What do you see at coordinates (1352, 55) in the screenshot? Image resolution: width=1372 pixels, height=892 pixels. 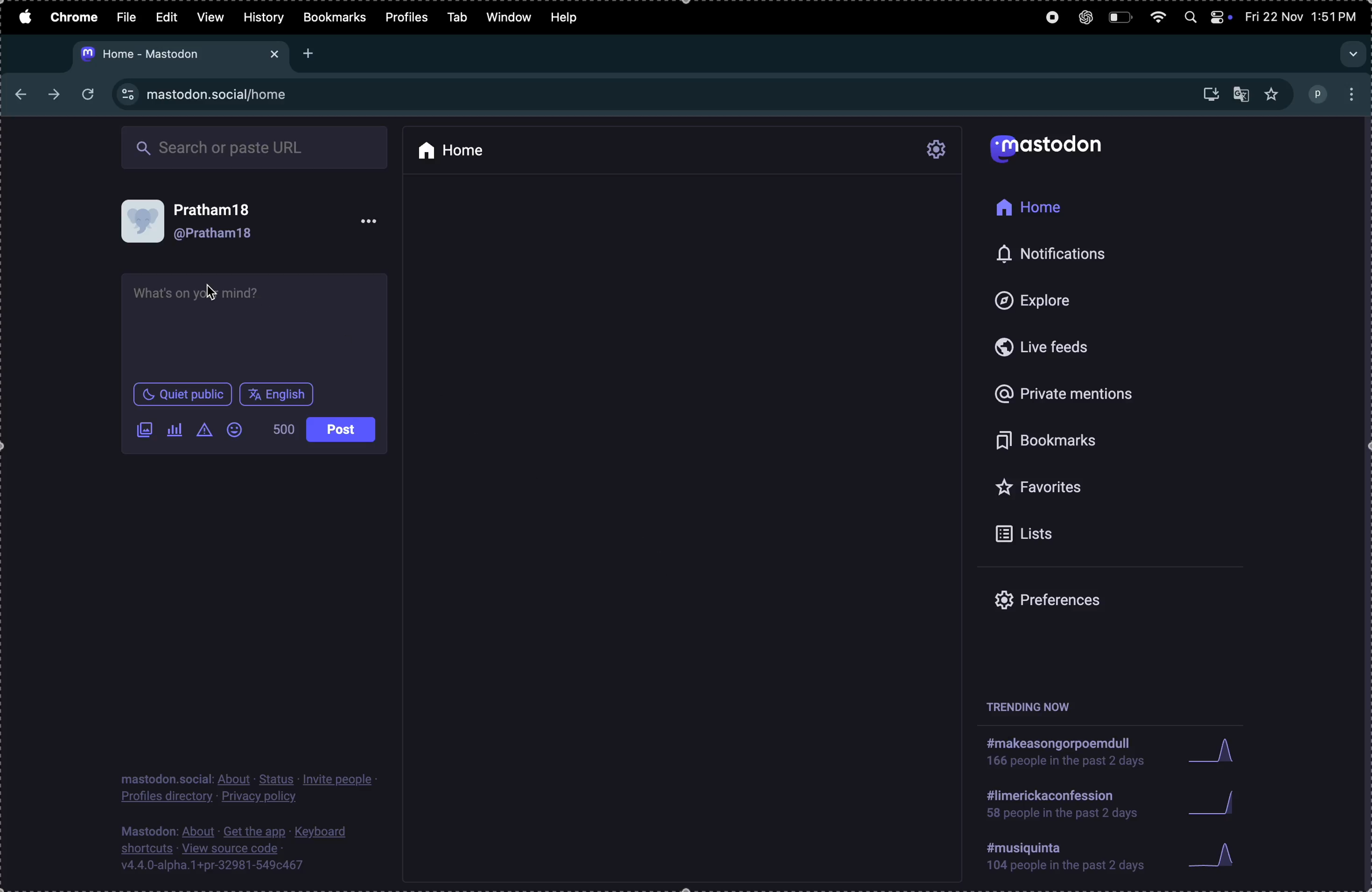 I see `search tab` at bounding box center [1352, 55].